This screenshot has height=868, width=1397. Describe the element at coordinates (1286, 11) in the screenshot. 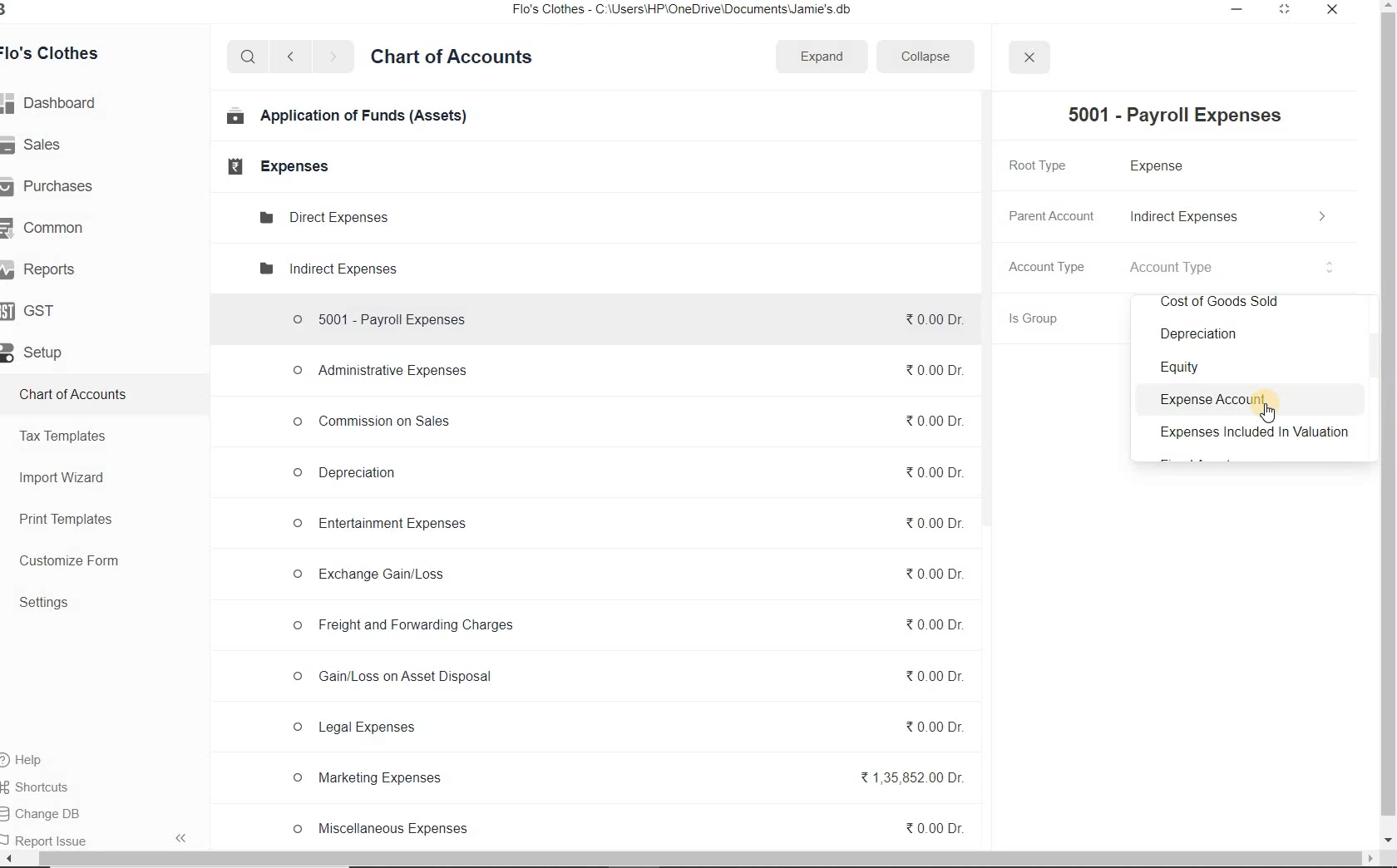

I see `restore down` at that location.